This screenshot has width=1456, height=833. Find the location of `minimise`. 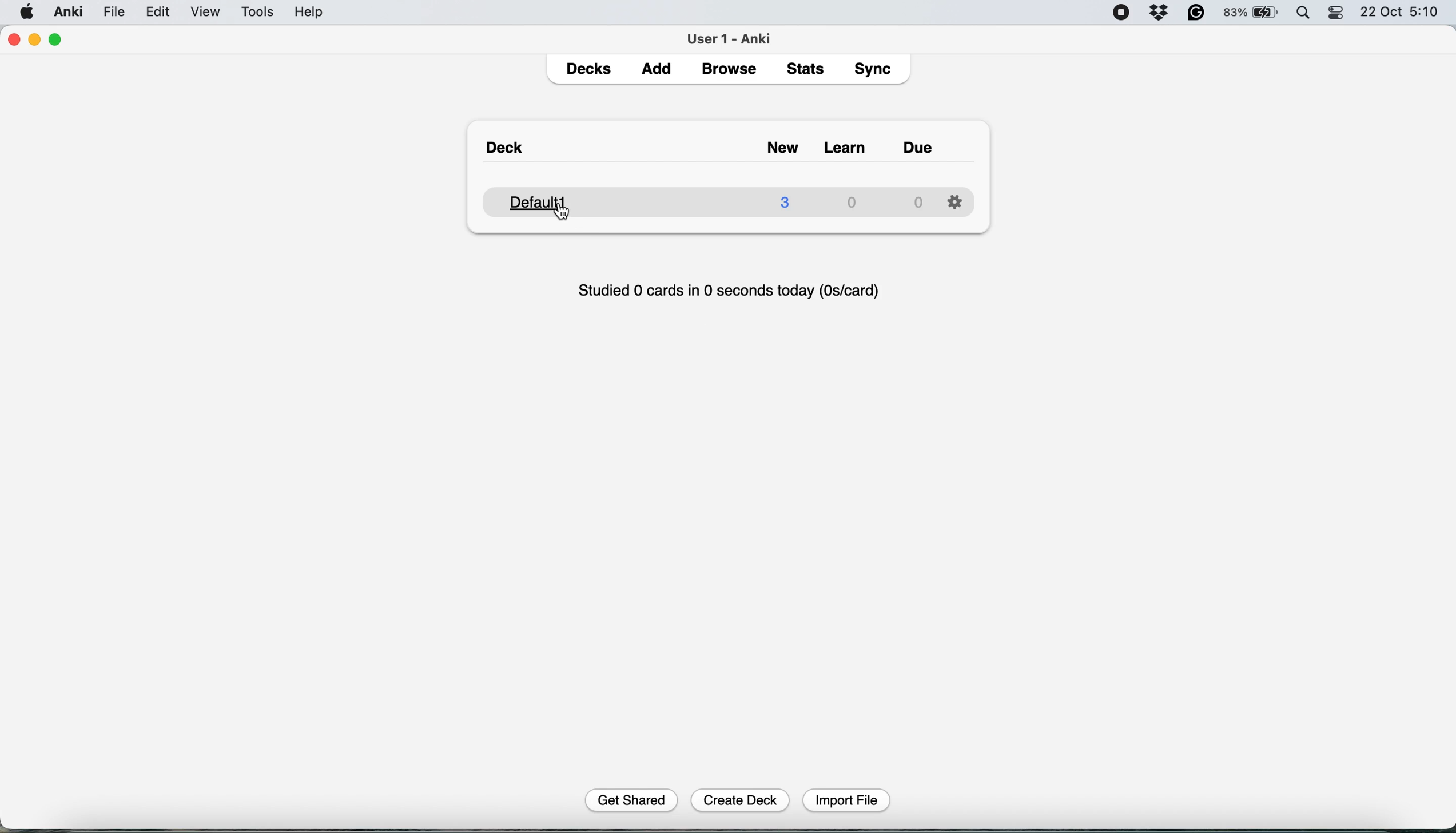

minimise is located at coordinates (35, 39).